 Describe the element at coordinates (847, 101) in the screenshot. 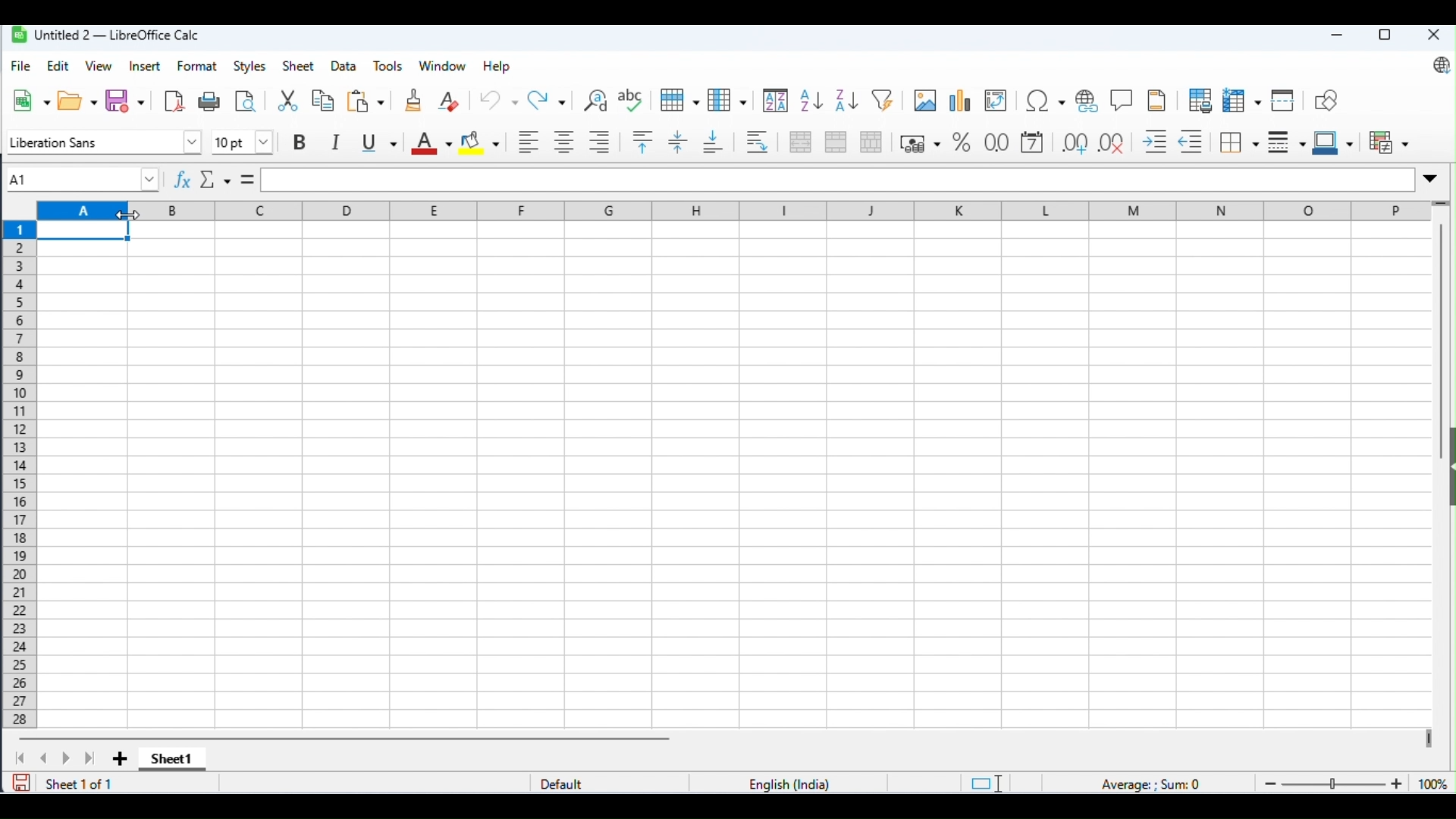

I see `sort descending` at that location.